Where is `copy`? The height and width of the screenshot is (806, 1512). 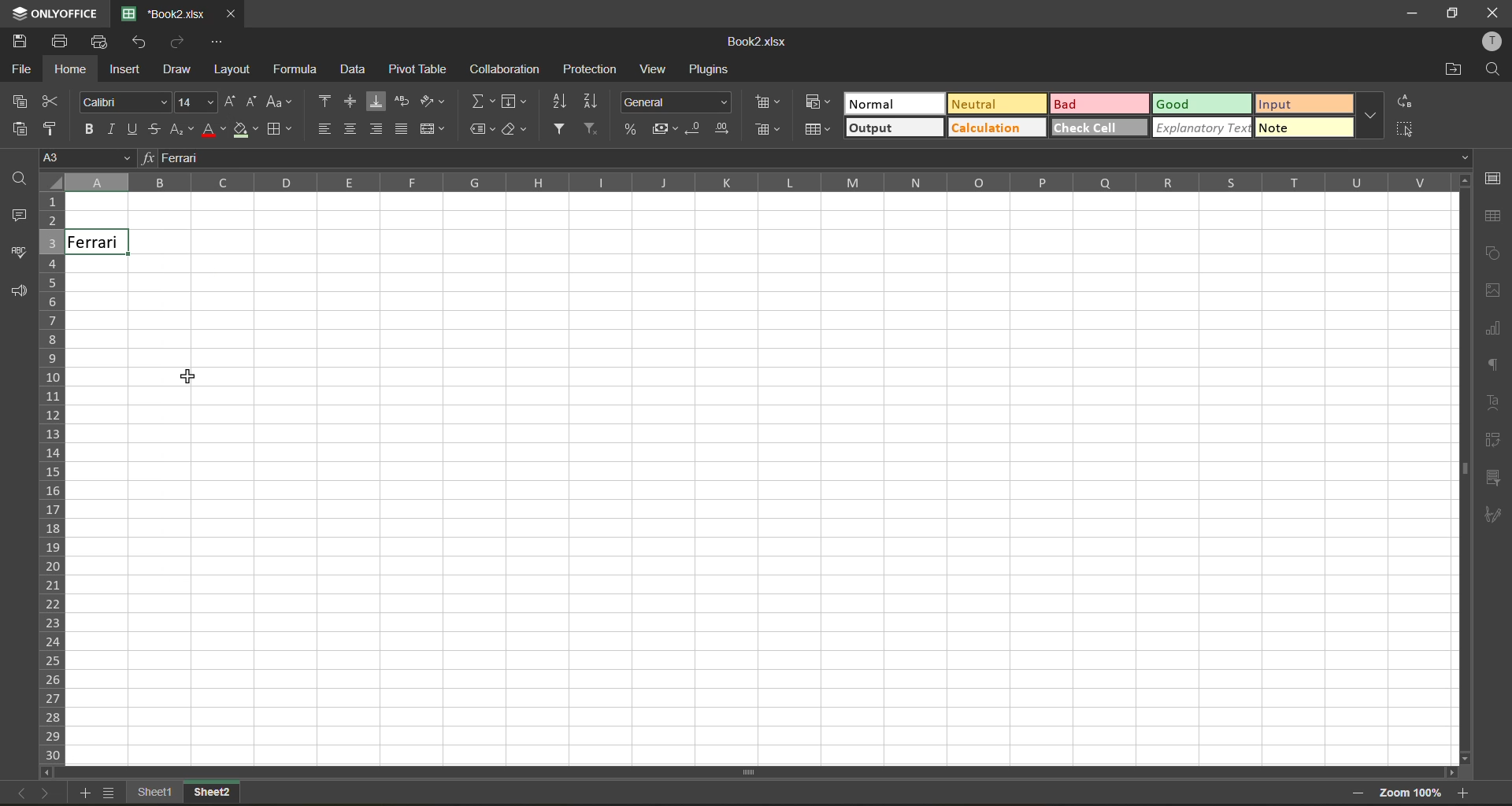
copy is located at coordinates (20, 100).